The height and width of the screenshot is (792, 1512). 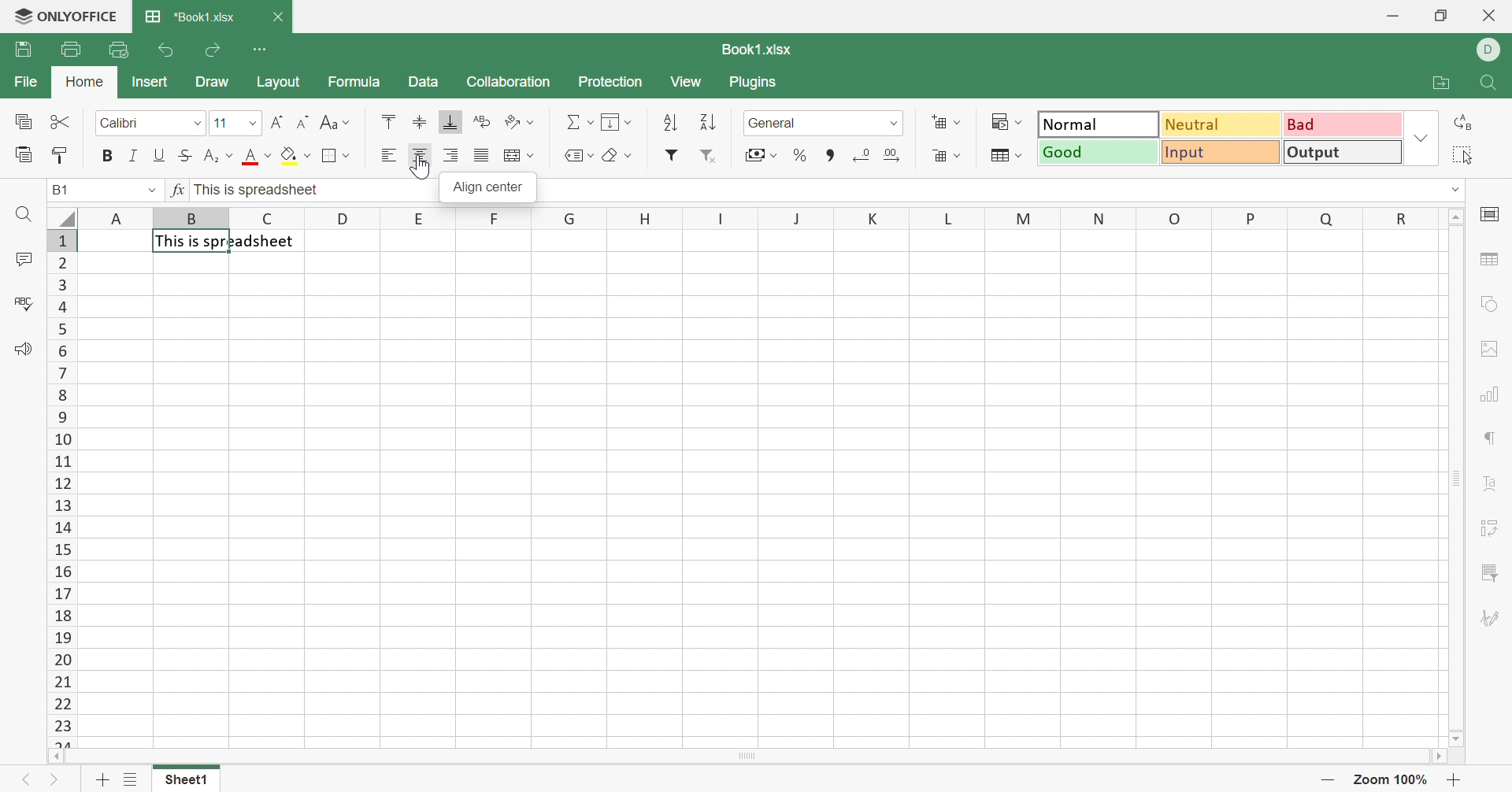 What do you see at coordinates (591, 155) in the screenshot?
I see `Drop Down` at bounding box center [591, 155].